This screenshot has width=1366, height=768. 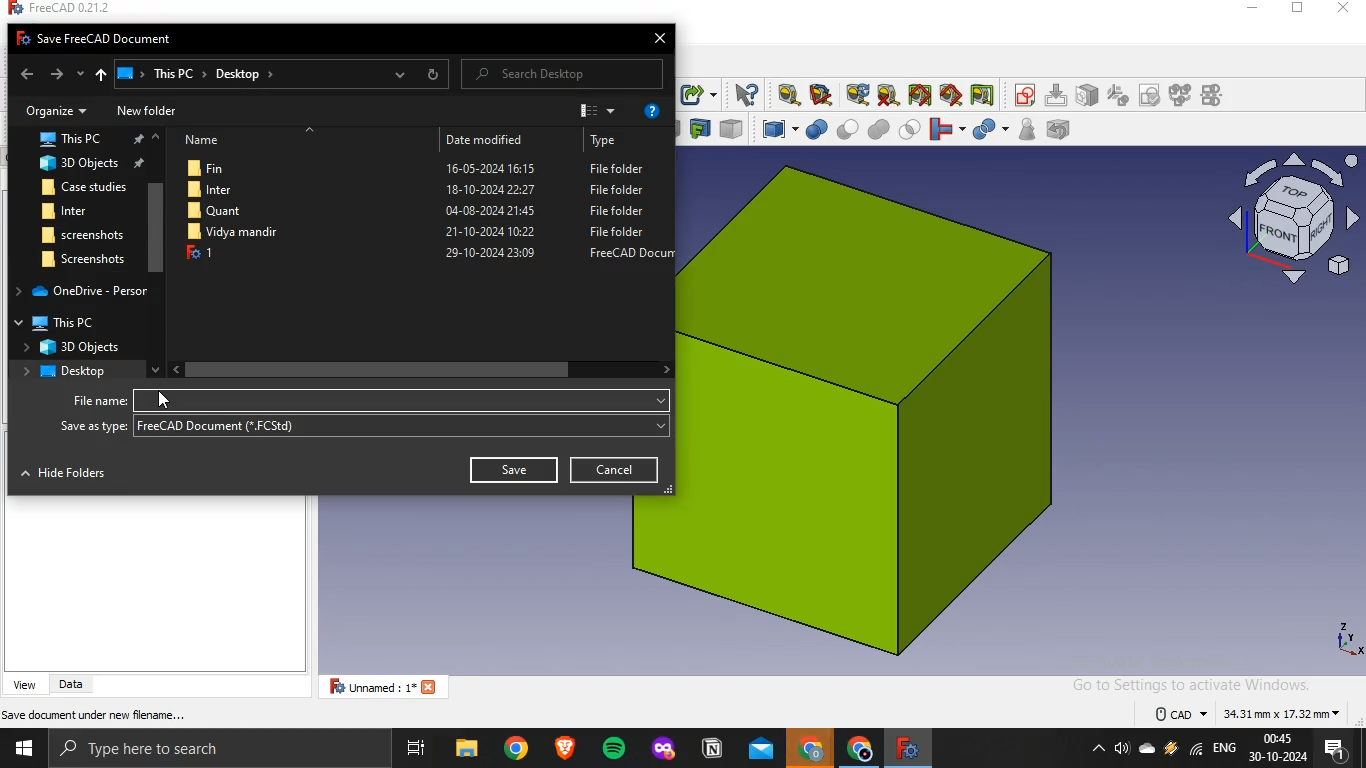 I want to click on wifi, so click(x=1197, y=749).